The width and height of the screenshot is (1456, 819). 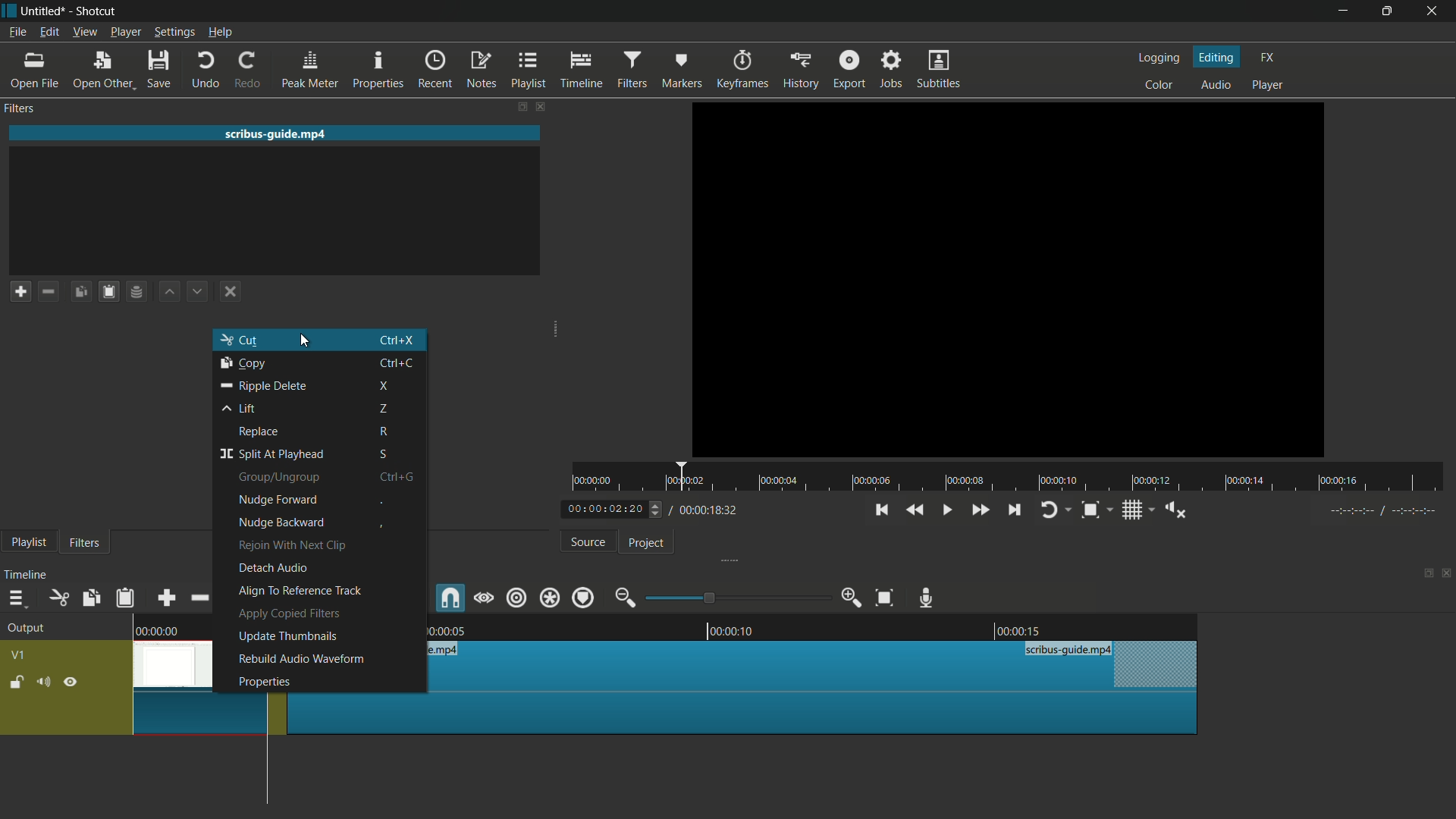 What do you see at coordinates (436, 70) in the screenshot?
I see `recent` at bounding box center [436, 70].